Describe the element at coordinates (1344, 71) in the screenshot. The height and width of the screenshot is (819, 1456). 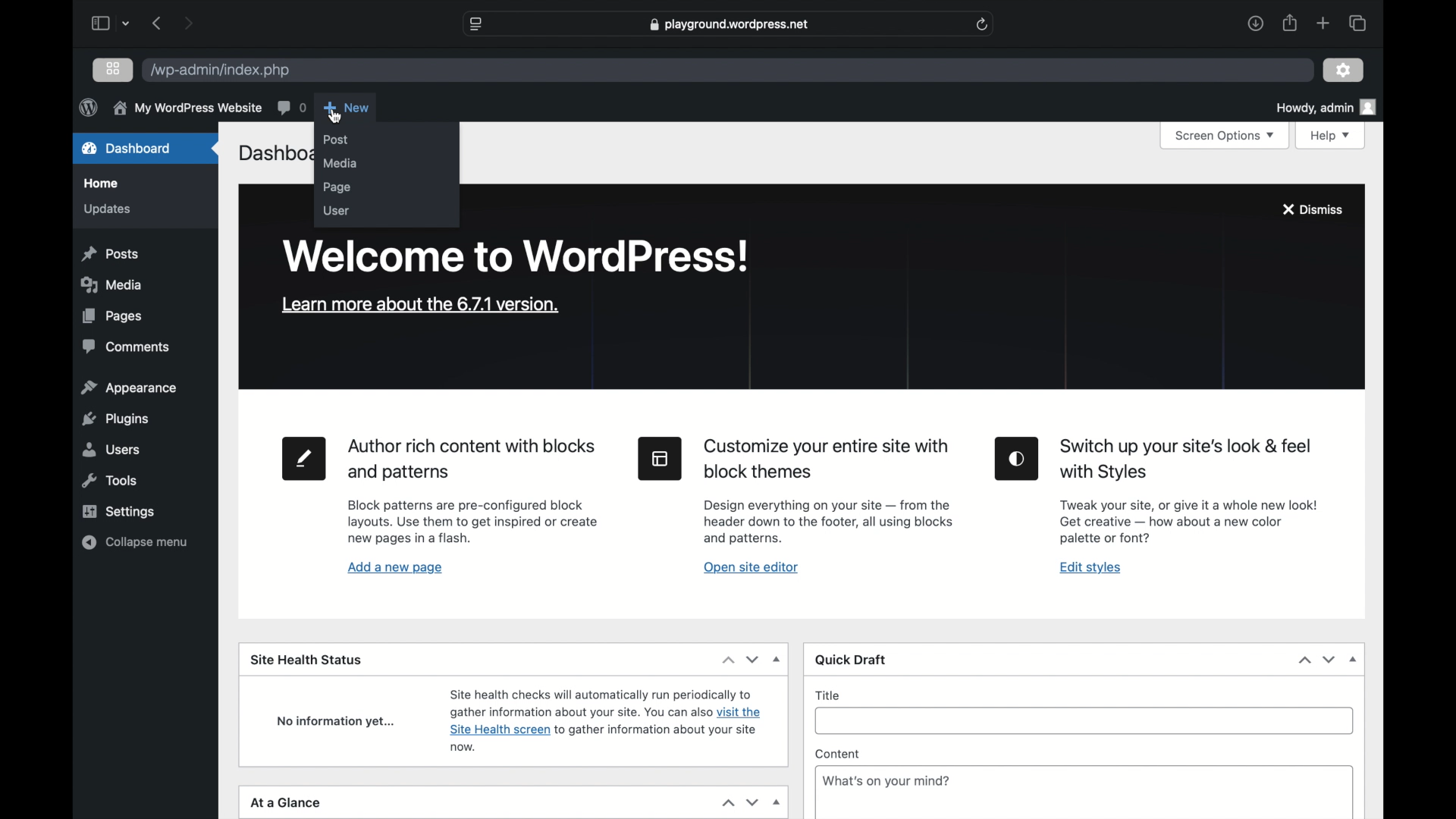
I see `settings` at that location.